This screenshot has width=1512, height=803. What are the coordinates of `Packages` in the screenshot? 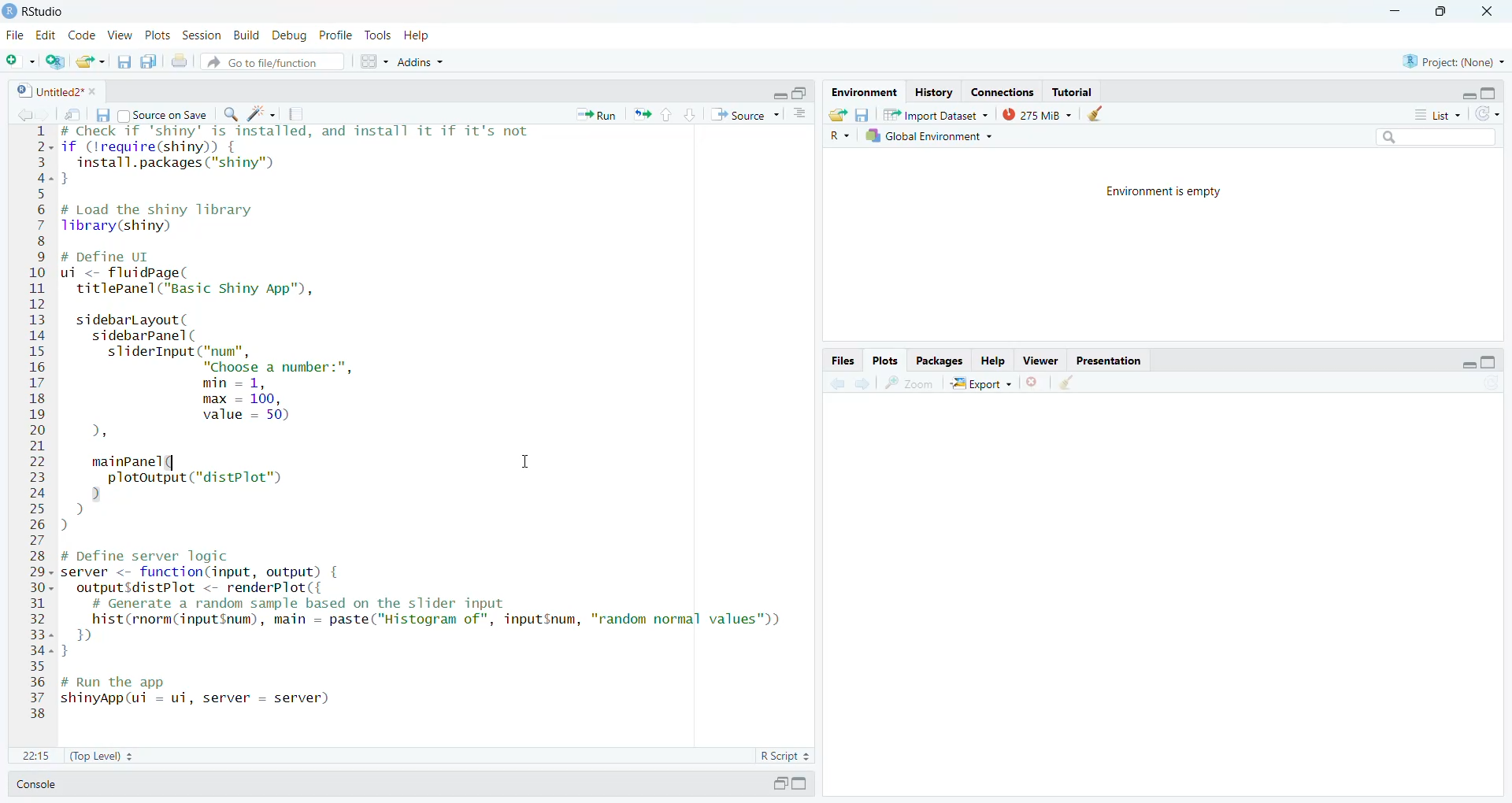 It's located at (939, 361).